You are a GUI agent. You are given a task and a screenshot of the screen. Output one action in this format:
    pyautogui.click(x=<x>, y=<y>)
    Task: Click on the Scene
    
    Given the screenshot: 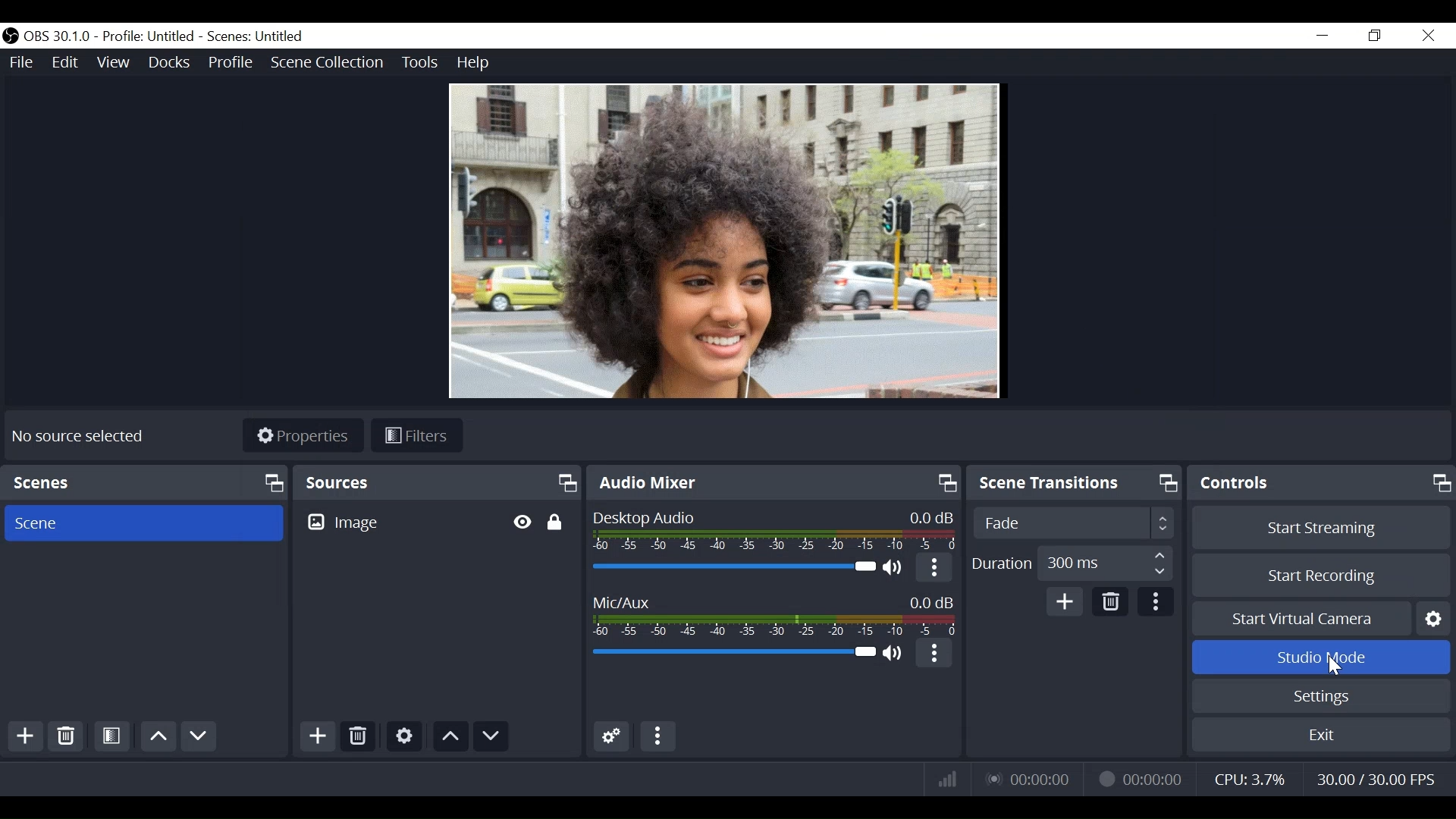 What is the action you would take?
    pyautogui.click(x=144, y=523)
    